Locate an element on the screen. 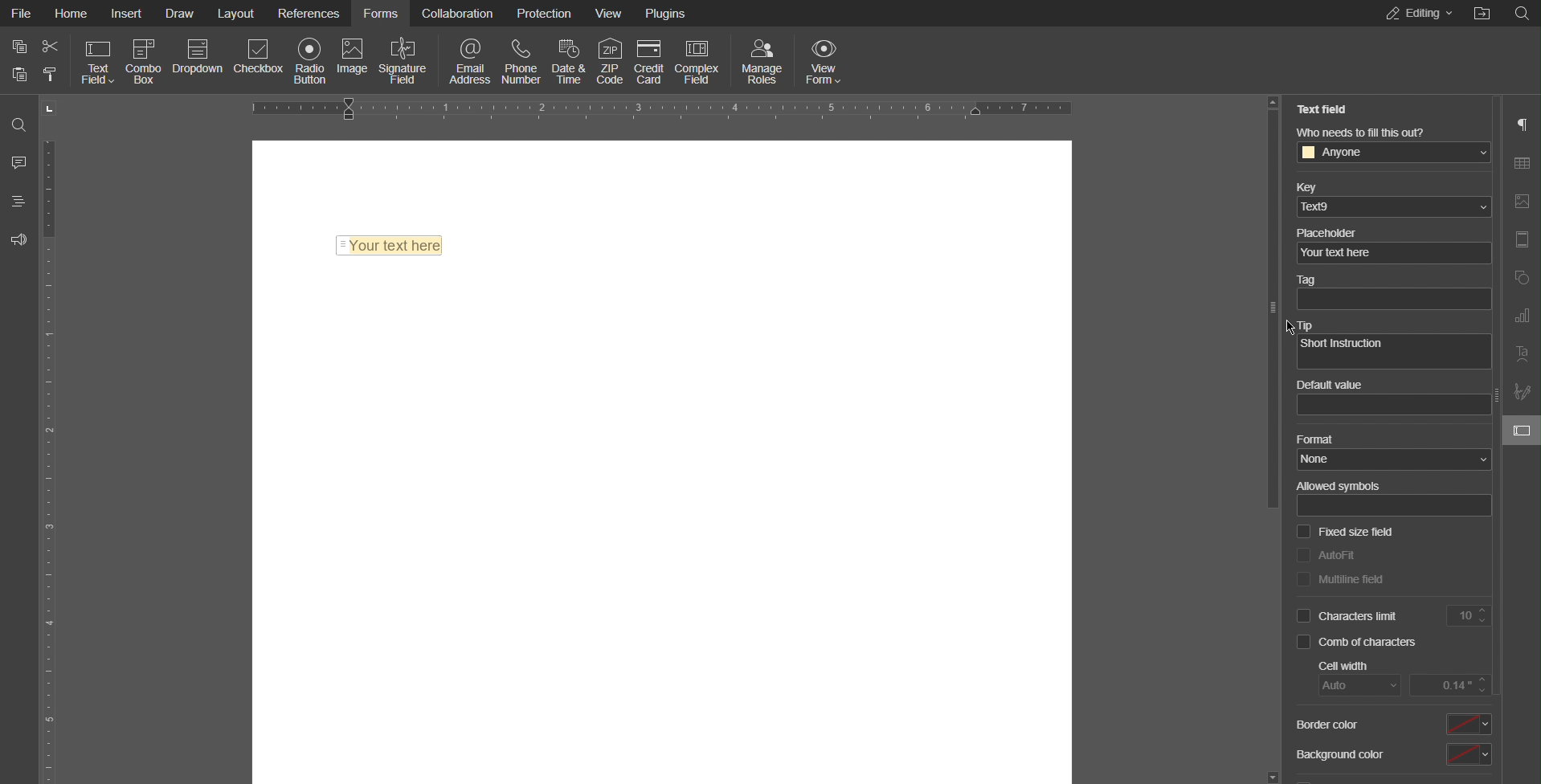 Image resolution: width=1541 pixels, height=784 pixels. Short Instruction is located at coordinates (1344, 344).